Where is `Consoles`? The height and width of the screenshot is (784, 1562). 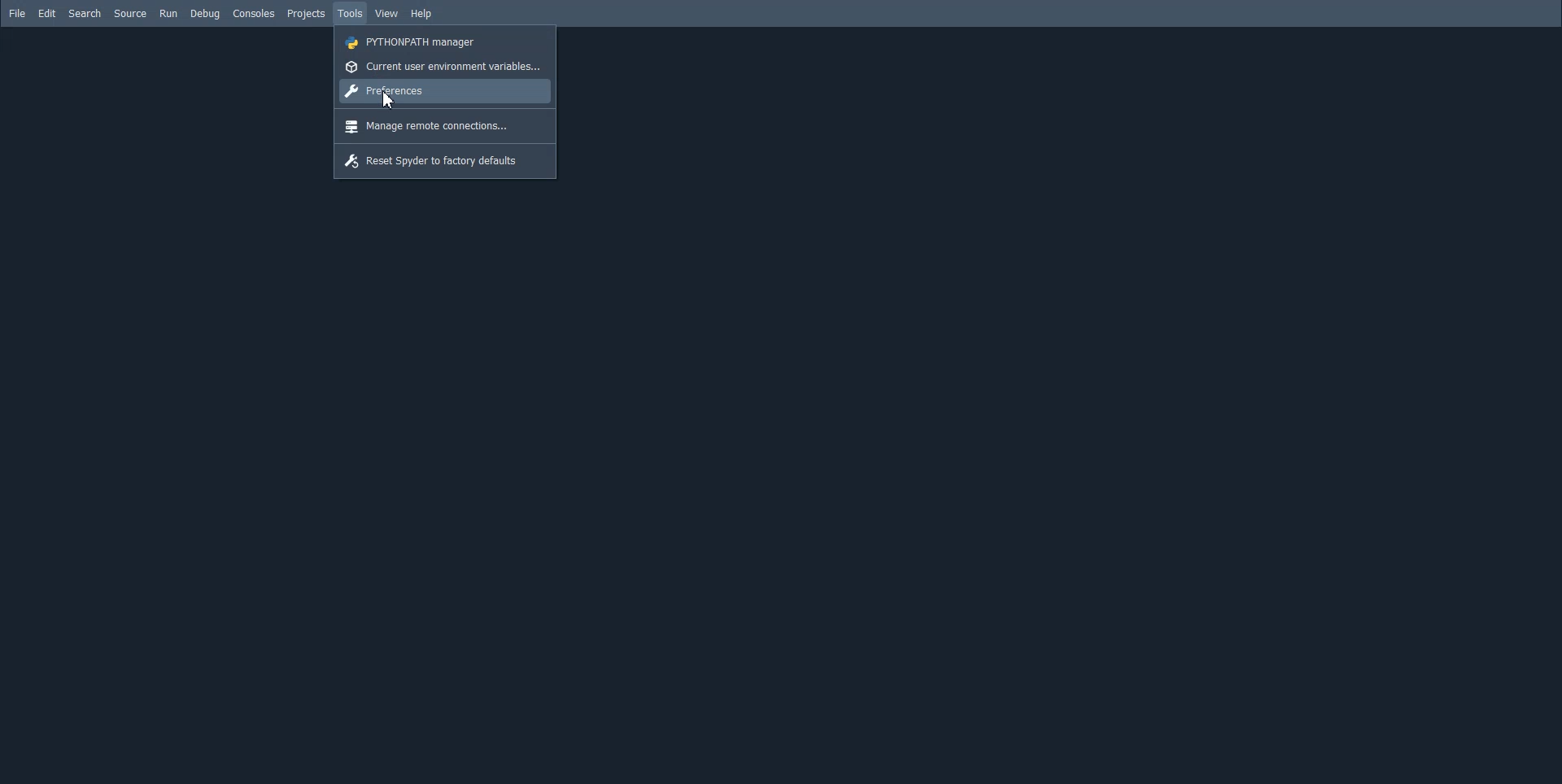
Consoles is located at coordinates (253, 14).